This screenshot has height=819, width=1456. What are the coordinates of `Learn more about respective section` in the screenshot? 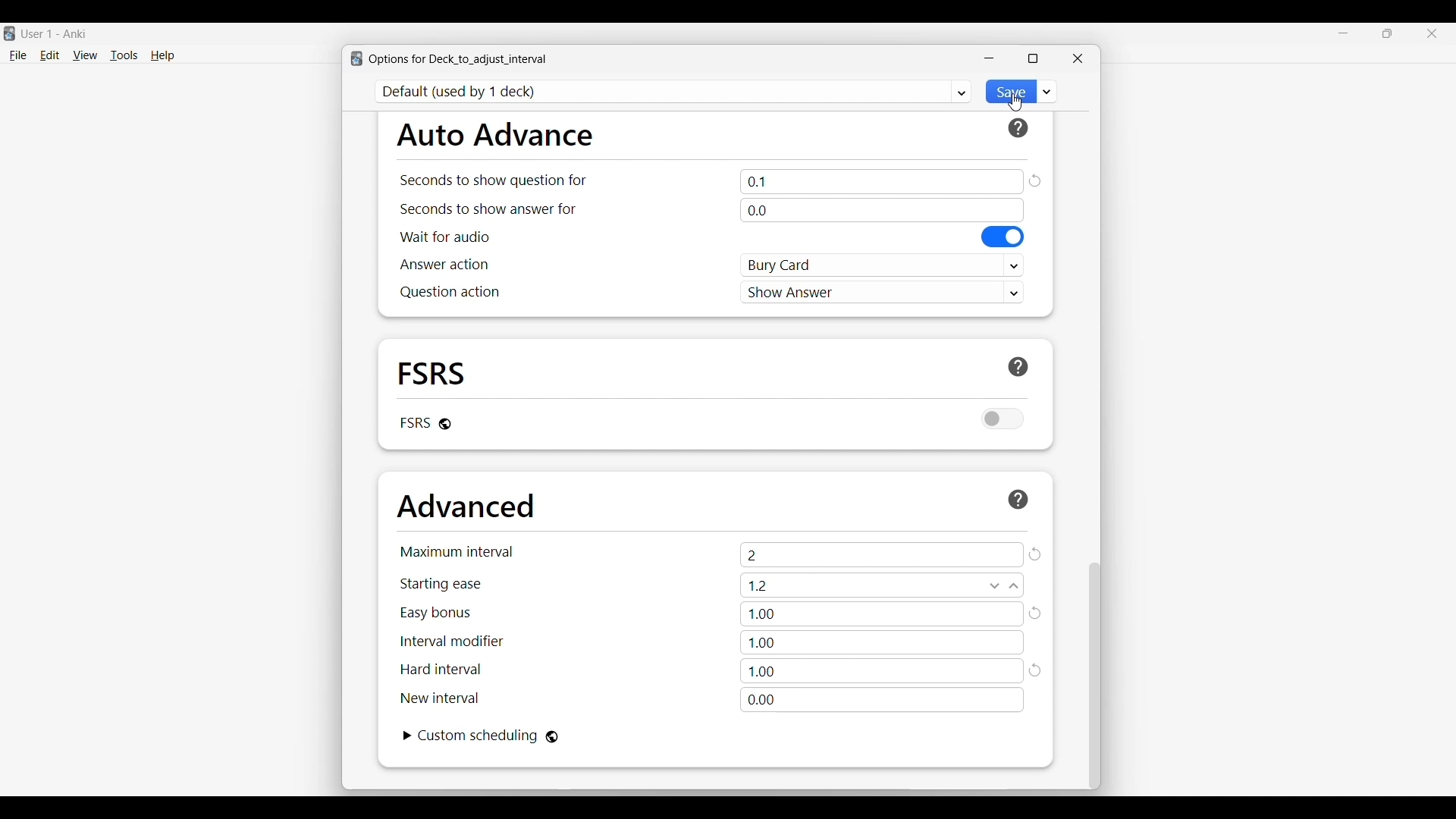 It's located at (1018, 499).